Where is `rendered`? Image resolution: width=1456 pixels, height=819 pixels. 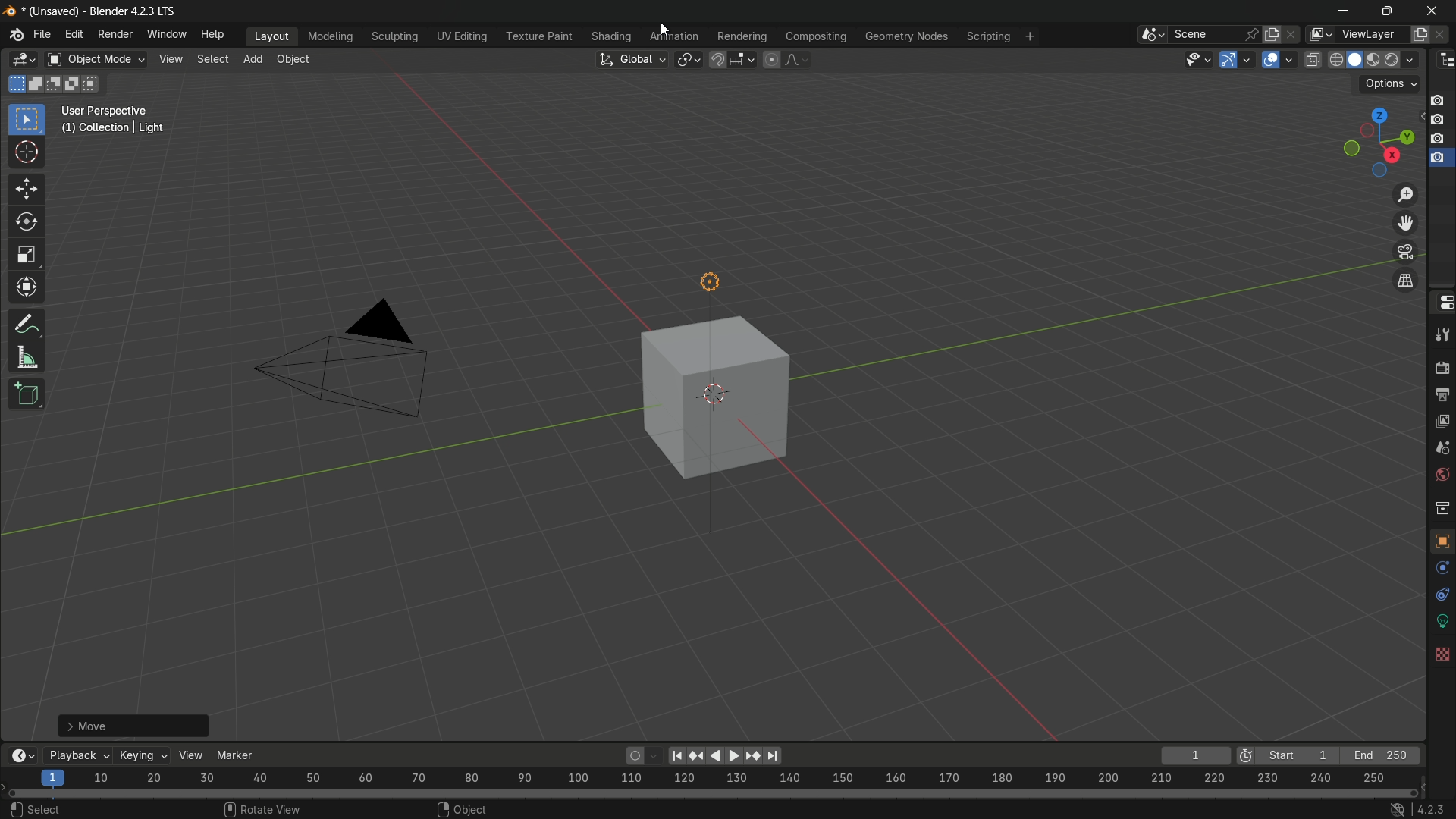 rendered is located at coordinates (1403, 59).